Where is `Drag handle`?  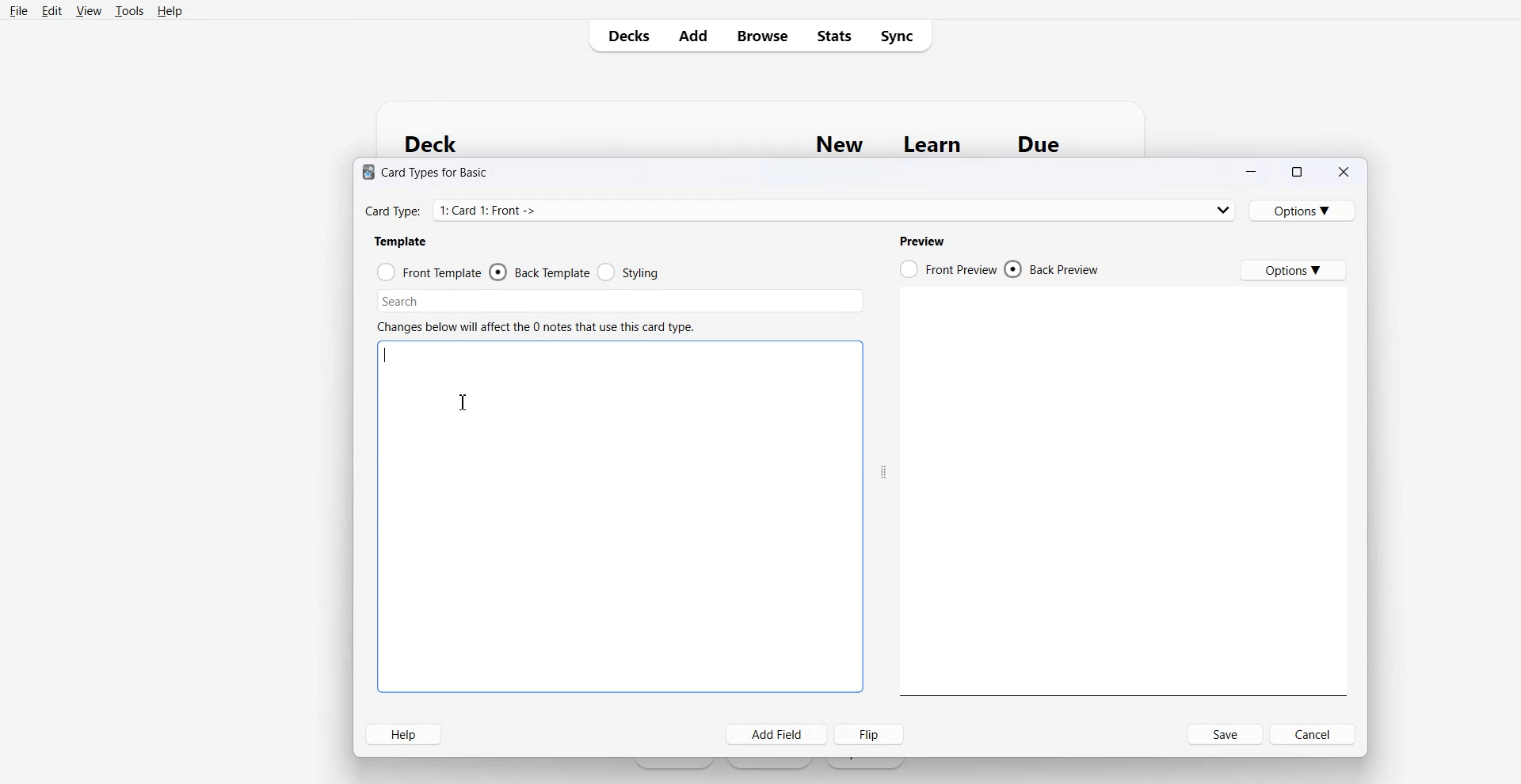 Drag handle is located at coordinates (885, 474).